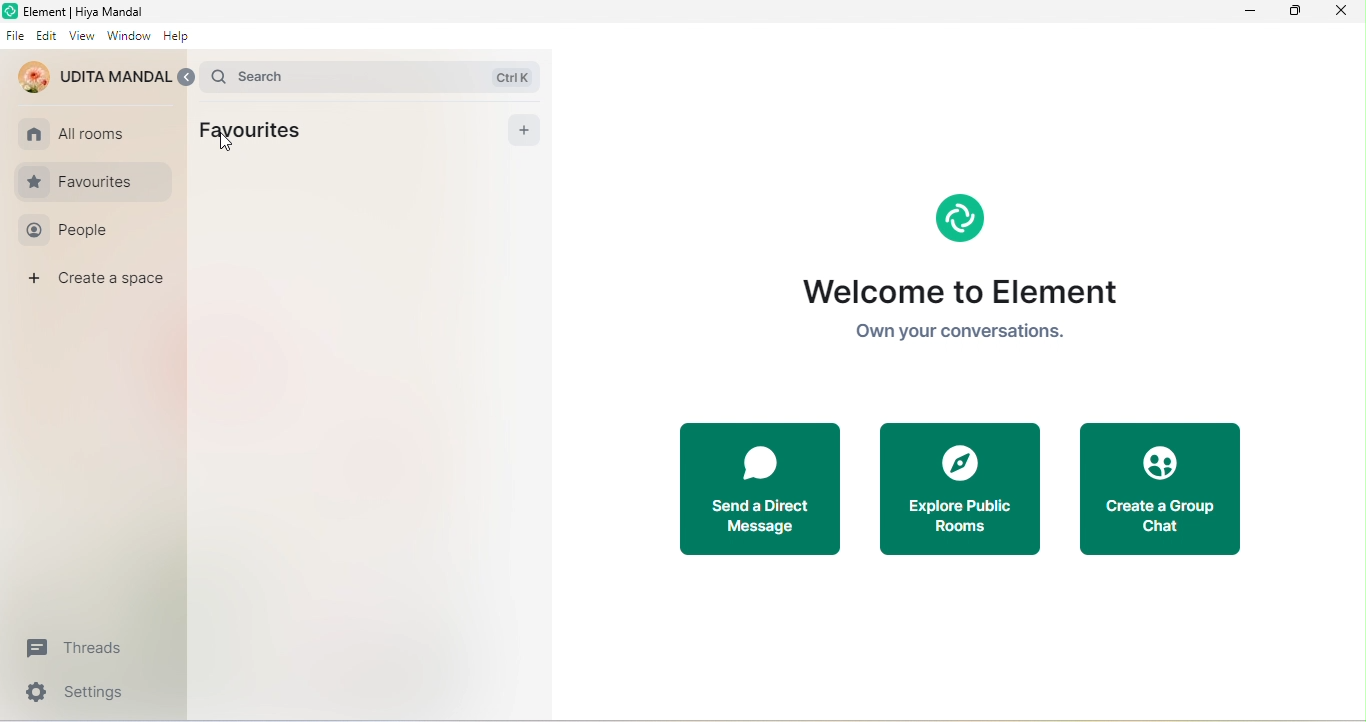  Describe the element at coordinates (95, 78) in the screenshot. I see `Changed profile picture` at that location.